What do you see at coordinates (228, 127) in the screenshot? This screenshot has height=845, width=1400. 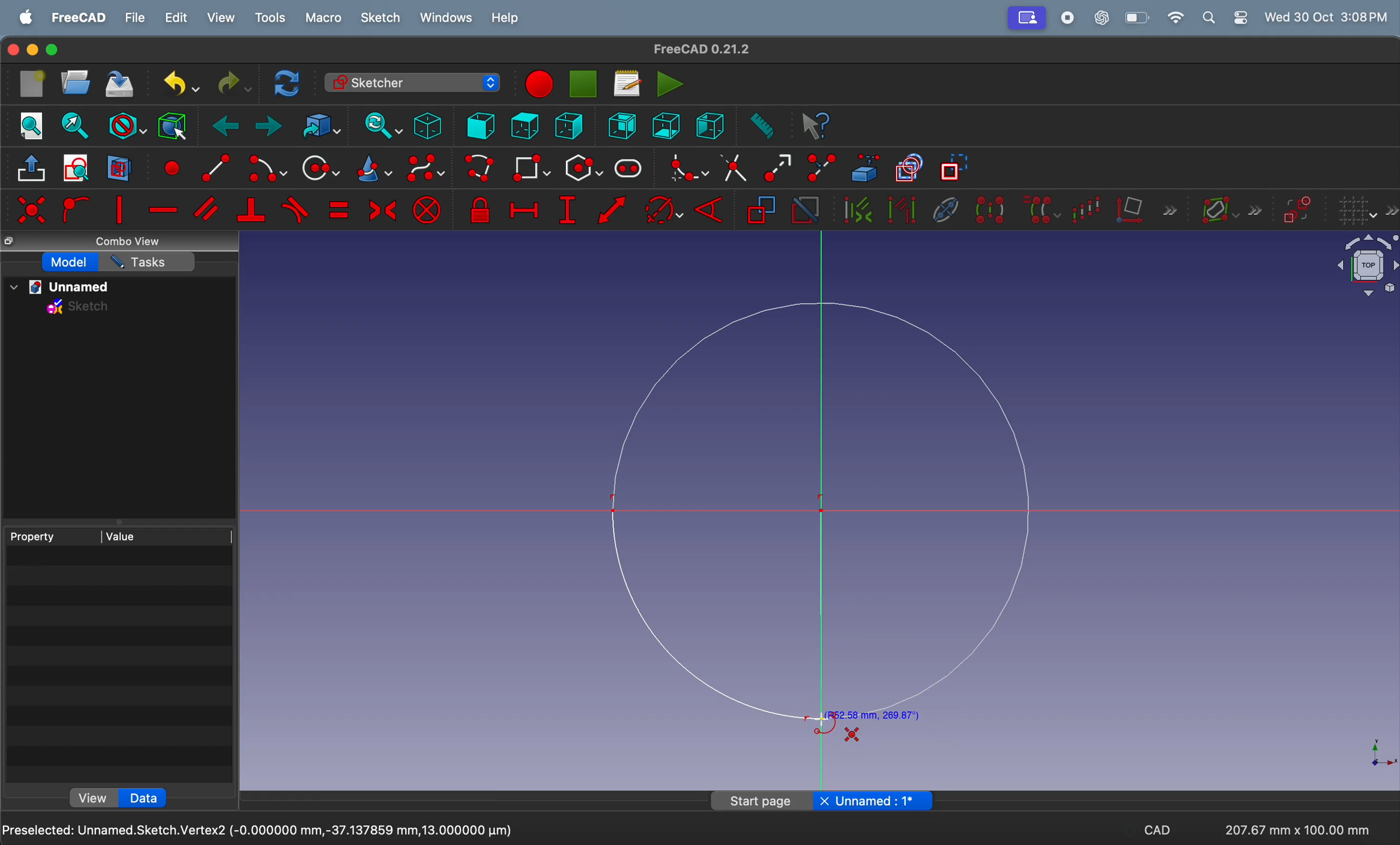 I see `back` at bounding box center [228, 127].